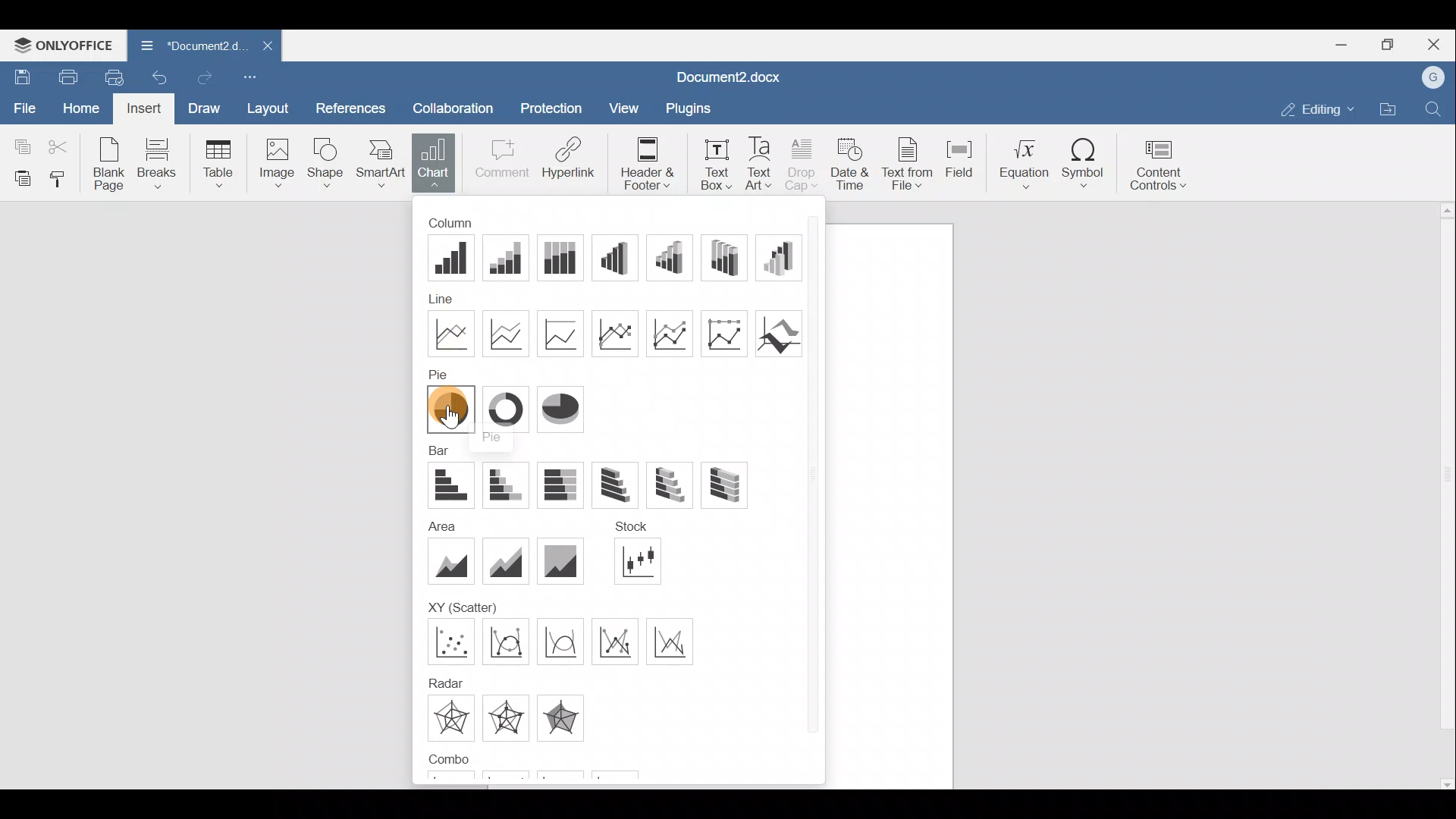 The image size is (1456, 819). I want to click on Shape, so click(324, 162).